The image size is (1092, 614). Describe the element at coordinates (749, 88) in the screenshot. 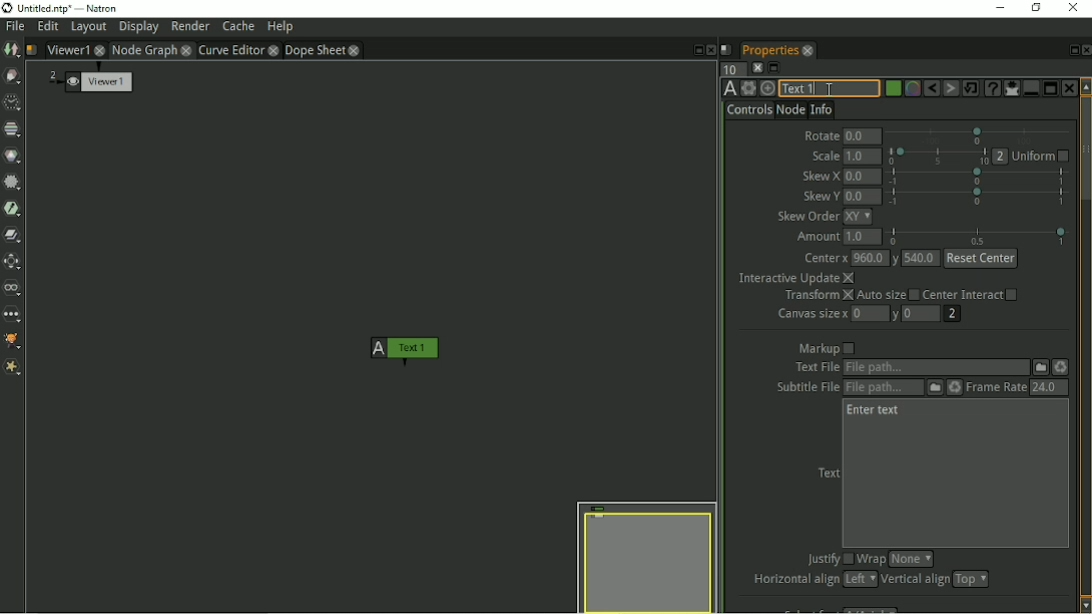

I see `Settings and presets` at that location.